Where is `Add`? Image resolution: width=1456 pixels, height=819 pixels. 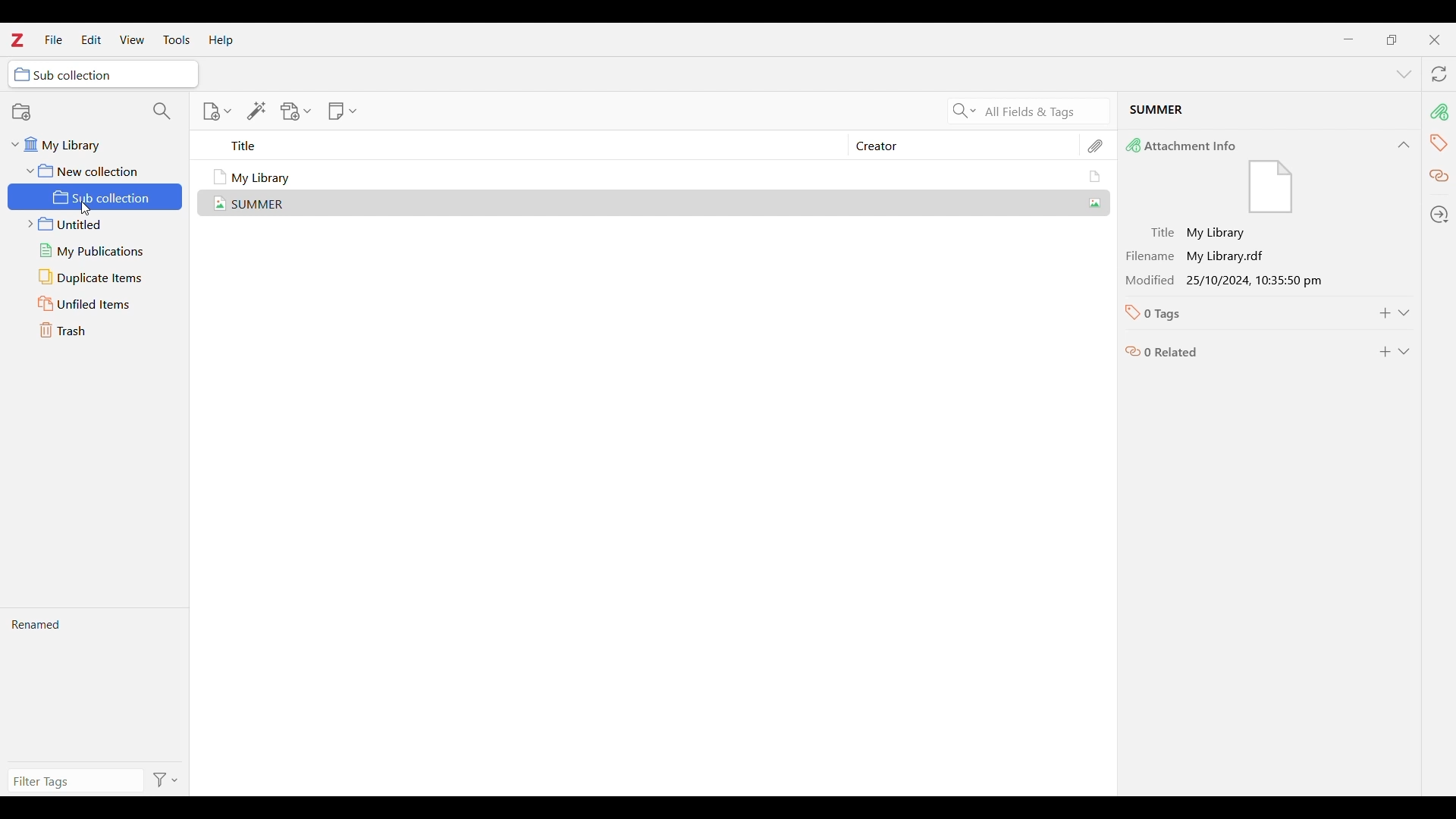 Add is located at coordinates (1385, 313).